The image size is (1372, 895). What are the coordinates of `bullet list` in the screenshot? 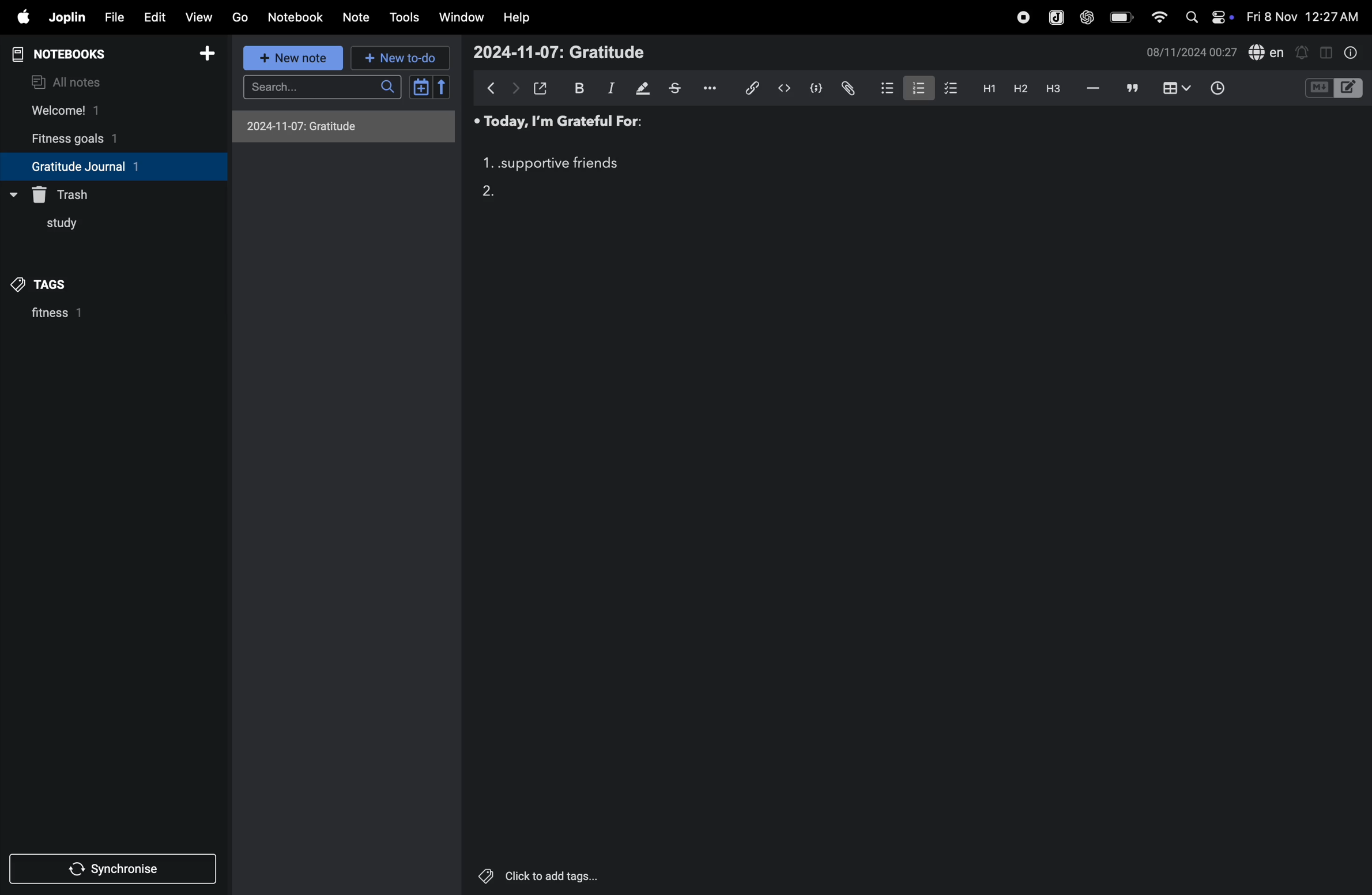 It's located at (882, 88).